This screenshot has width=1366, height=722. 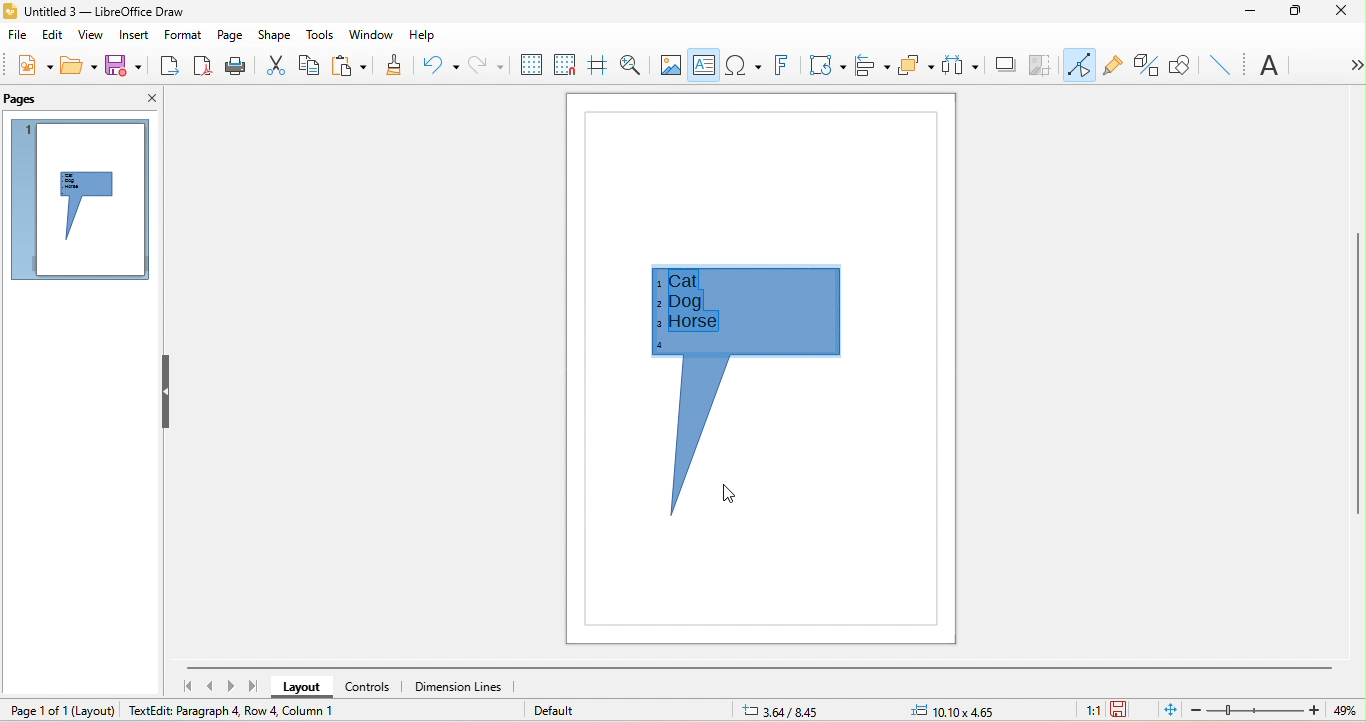 What do you see at coordinates (349, 66) in the screenshot?
I see `paste` at bounding box center [349, 66].